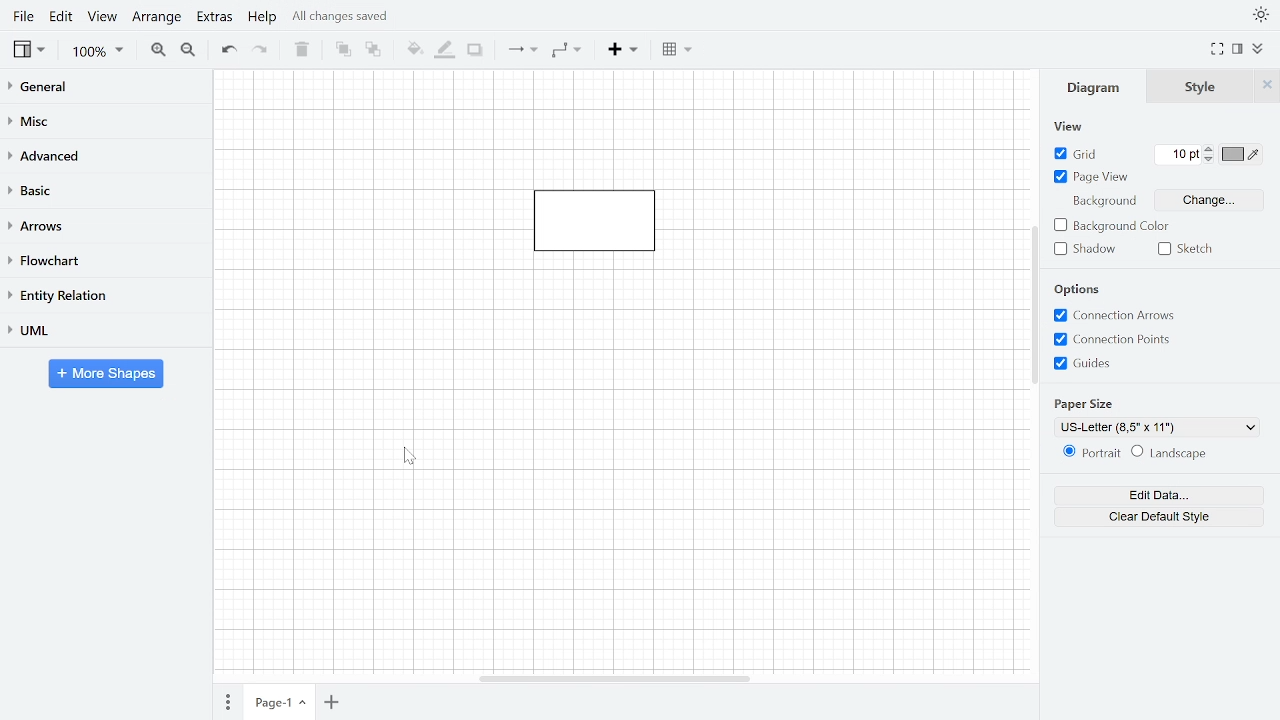 Image resolution: width=1280 pixels, height=720 pixels. What do you see at coordinates (106, 331) in the screenshot?
I see `UML` at bounding box center [106, 331].